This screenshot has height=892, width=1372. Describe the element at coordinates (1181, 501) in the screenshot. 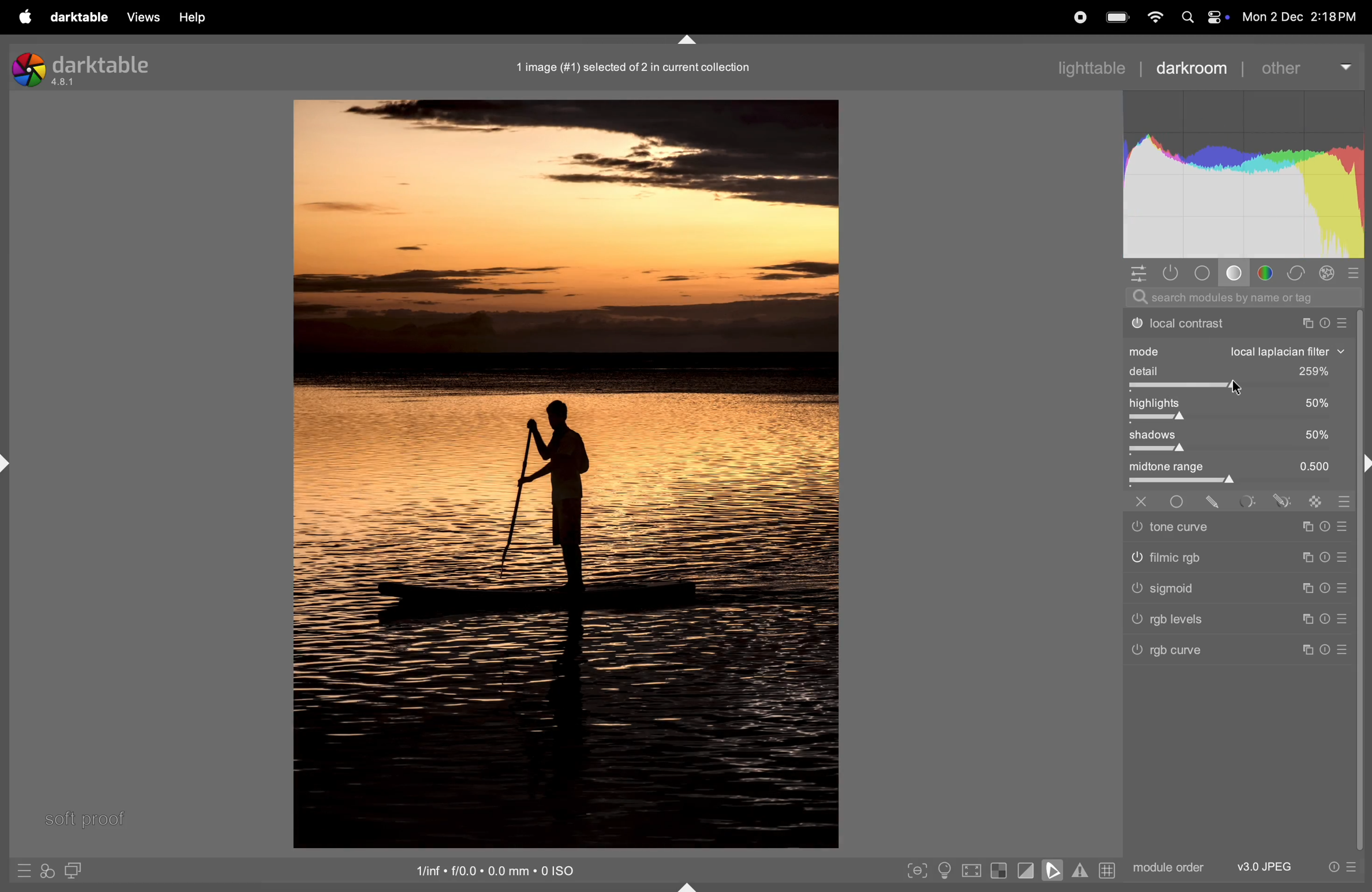

I see `` at that location.